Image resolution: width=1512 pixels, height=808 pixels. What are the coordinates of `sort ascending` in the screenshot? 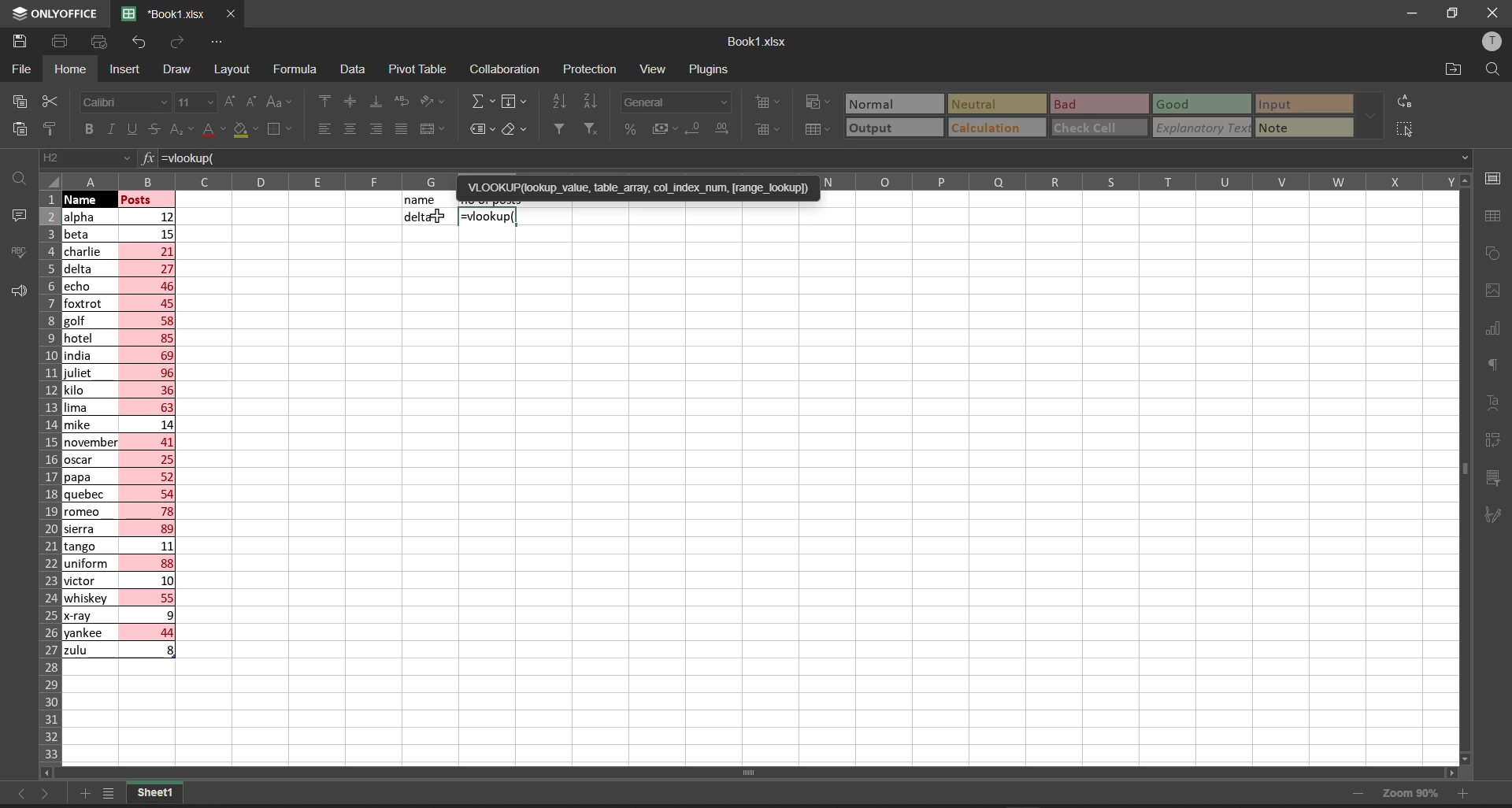 It's located at (561, 102).